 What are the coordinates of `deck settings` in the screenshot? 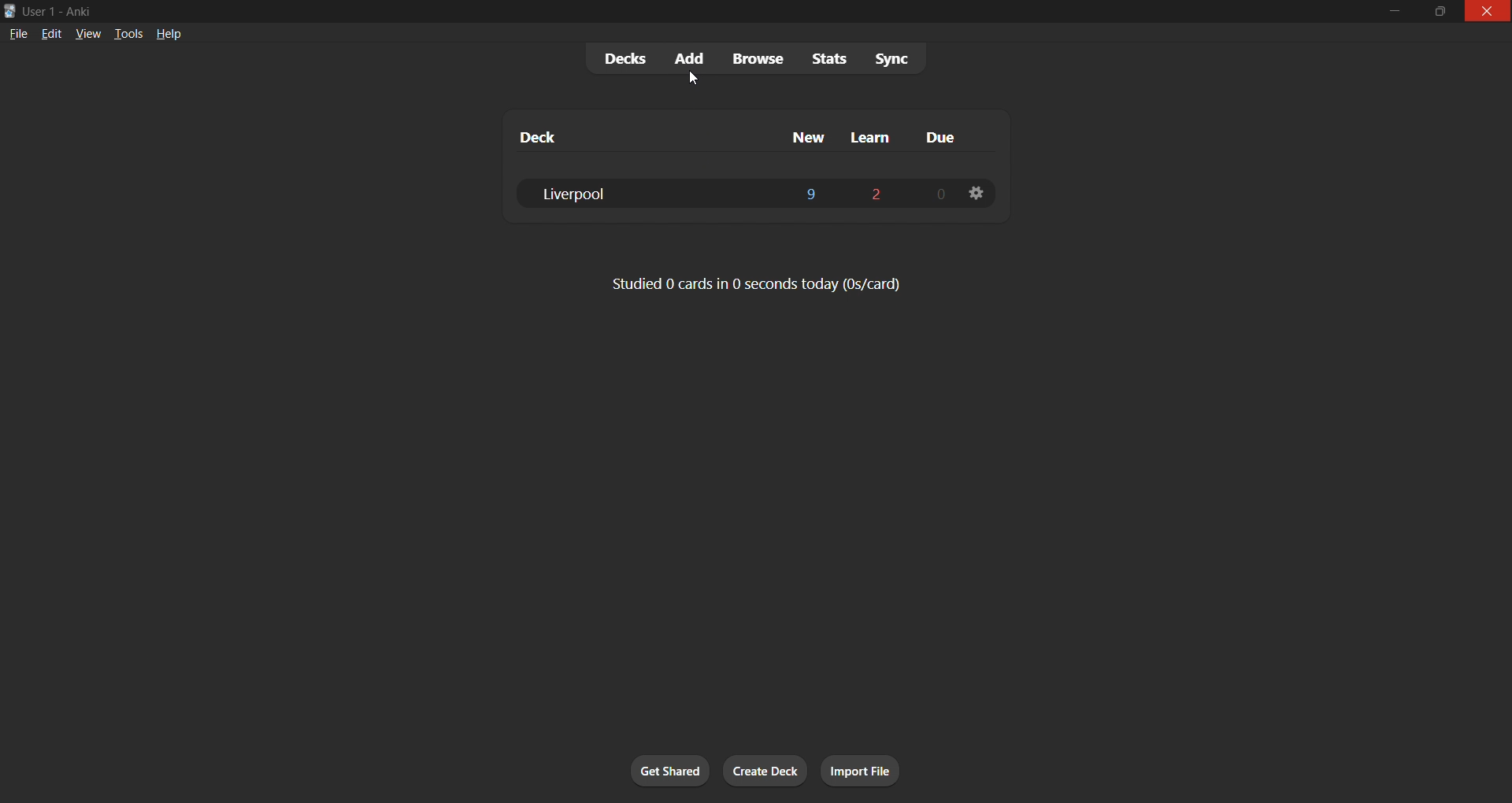 It's located at (980, 192).